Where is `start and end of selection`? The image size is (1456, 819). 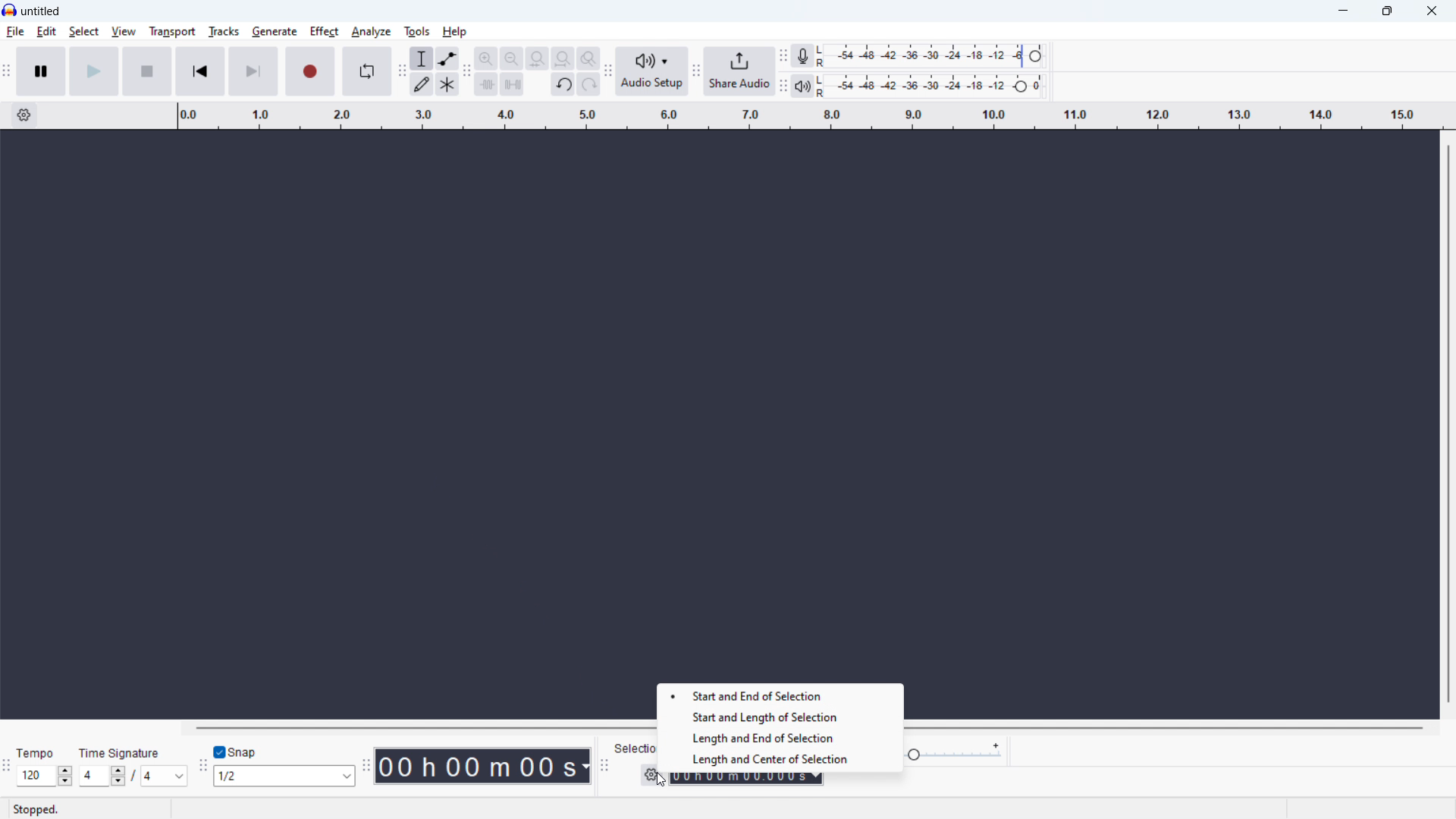 start and end of selection is located at coordinates (781, 697).